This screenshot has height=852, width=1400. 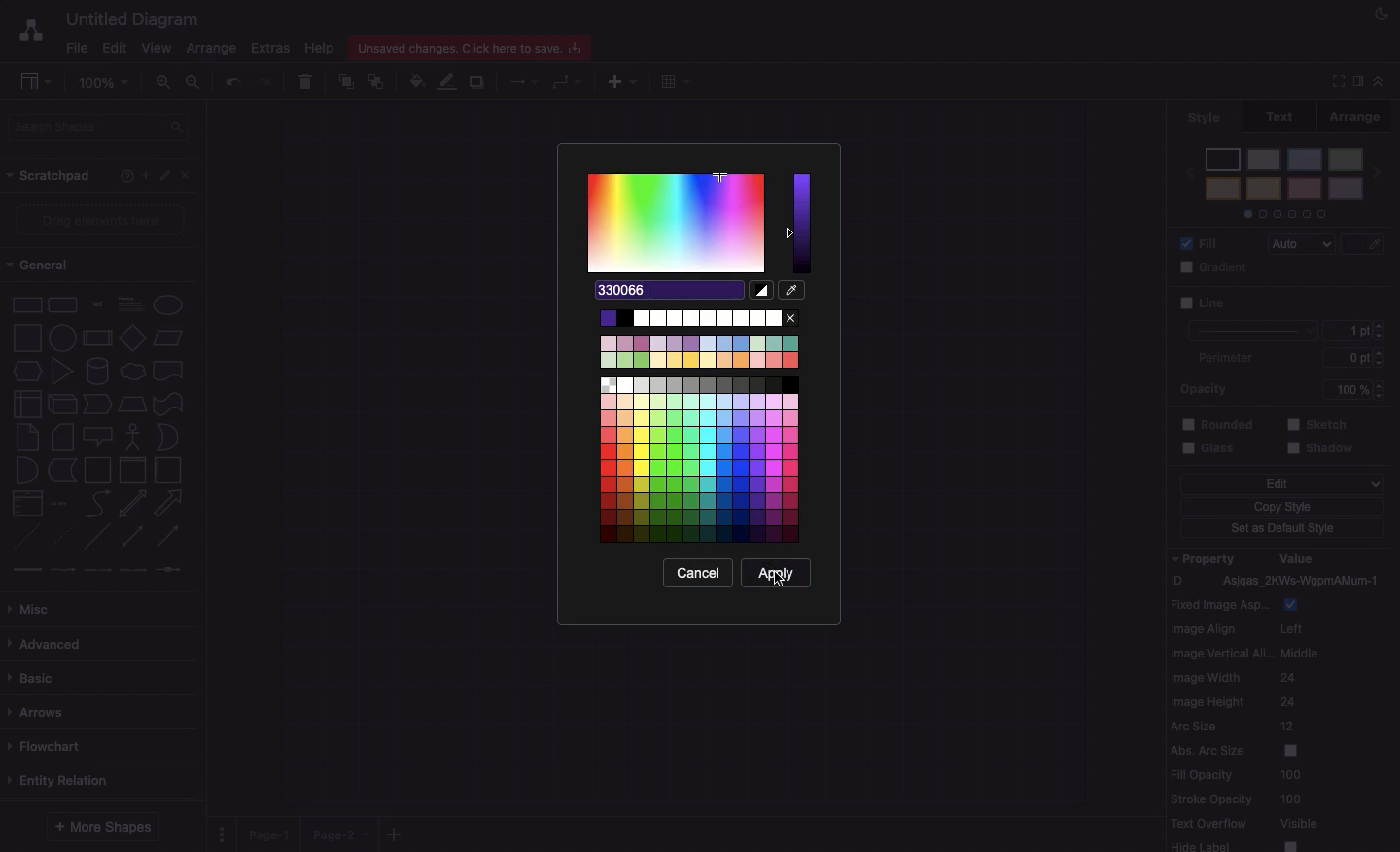 I want to click on Arrange, so click(x=213, y=50).